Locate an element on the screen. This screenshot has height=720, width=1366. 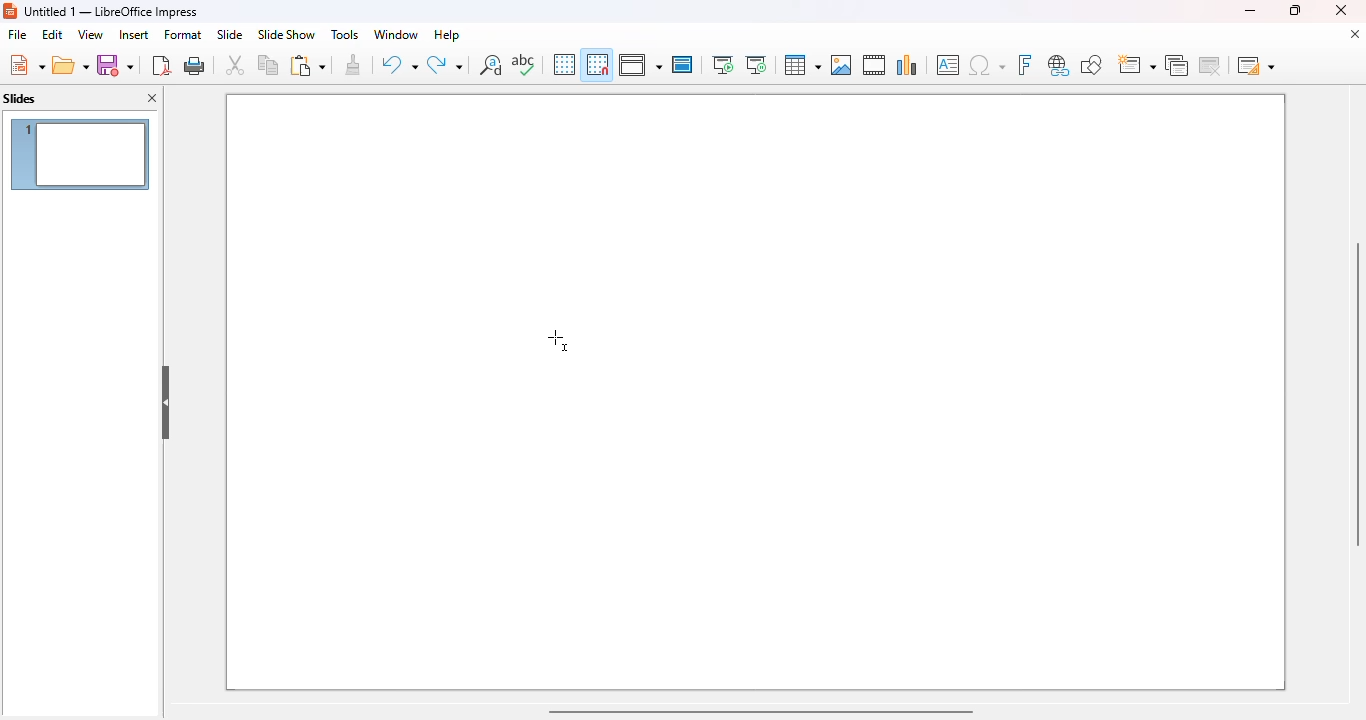
clone formatting is located at coordinates (354, 65).